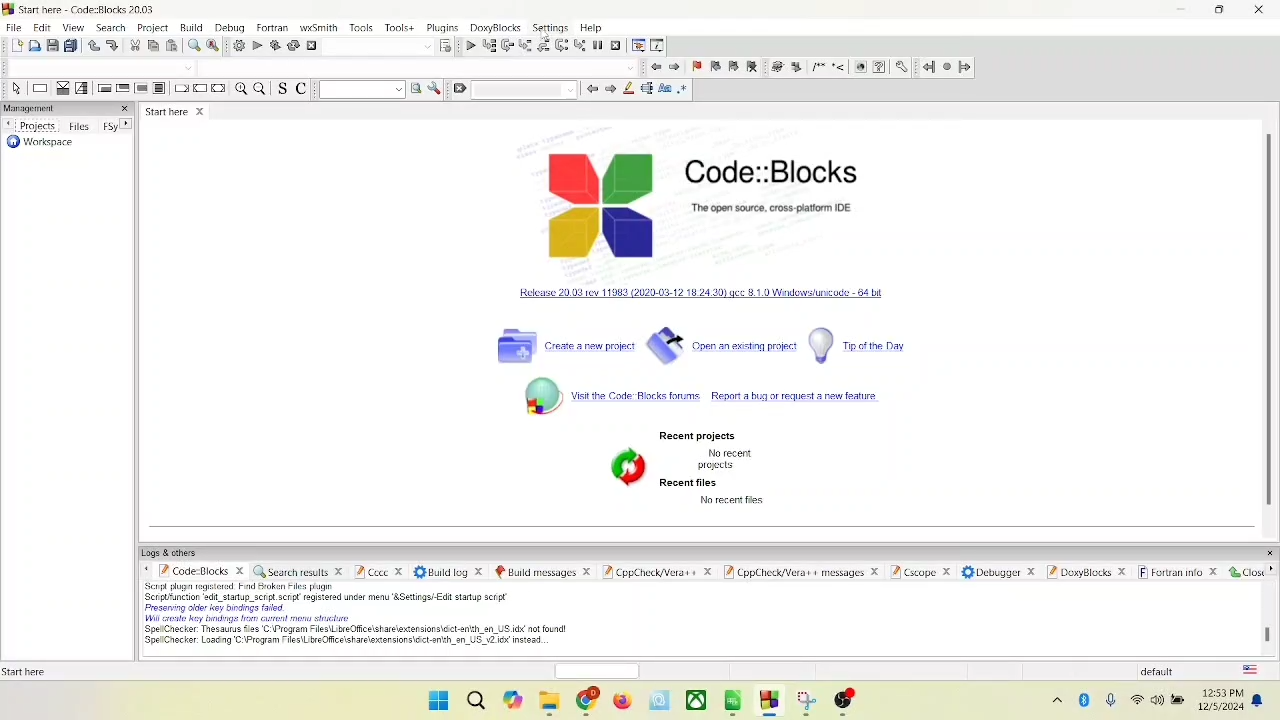  I want to click on doxyblocks, so click(1086, 573).